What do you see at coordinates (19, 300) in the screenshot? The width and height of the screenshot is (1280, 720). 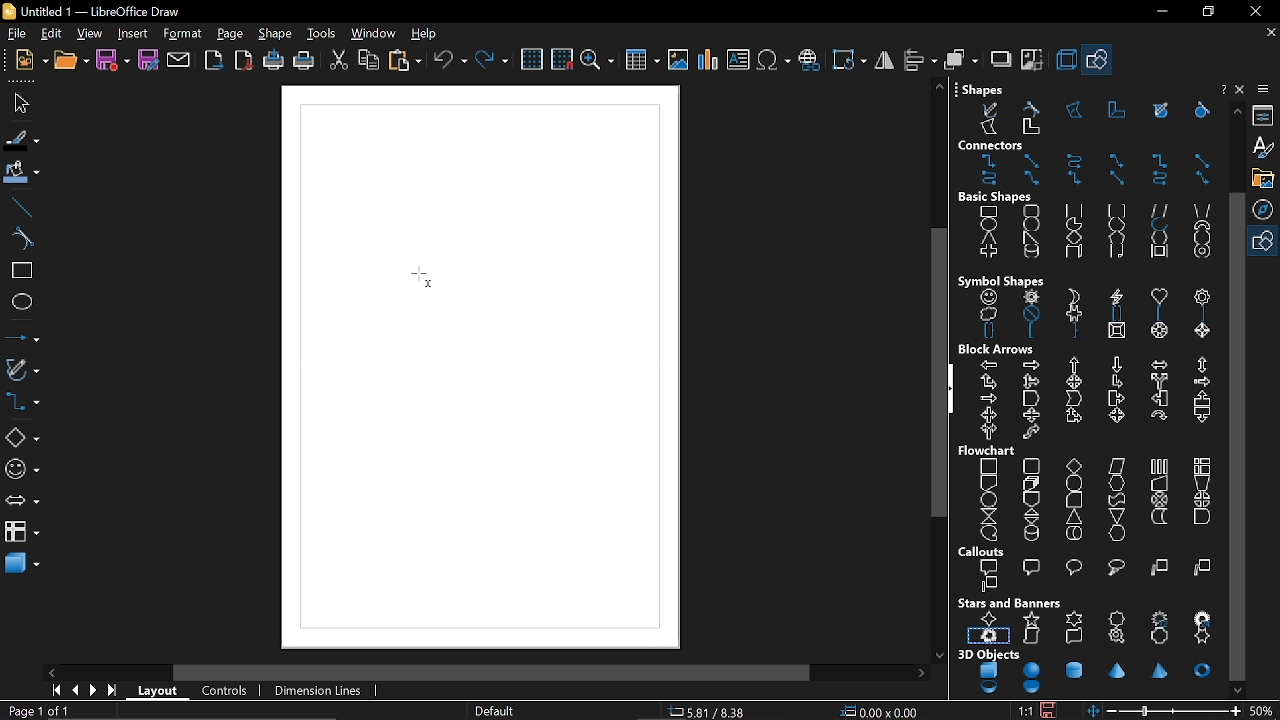 I see `ellipse` at bounding box center [19, 300].